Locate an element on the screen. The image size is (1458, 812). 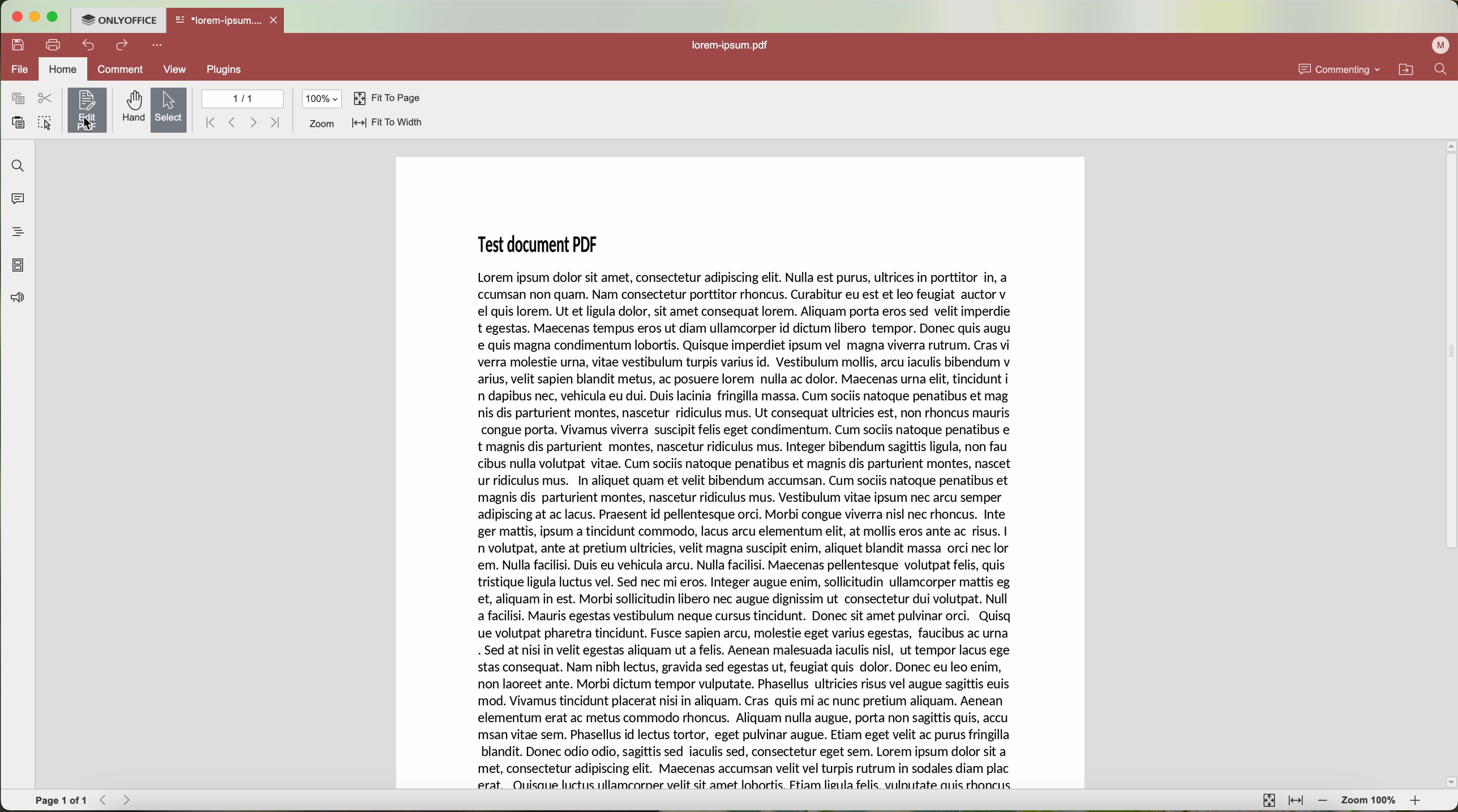
maximize is located at coordinates (55, 17).